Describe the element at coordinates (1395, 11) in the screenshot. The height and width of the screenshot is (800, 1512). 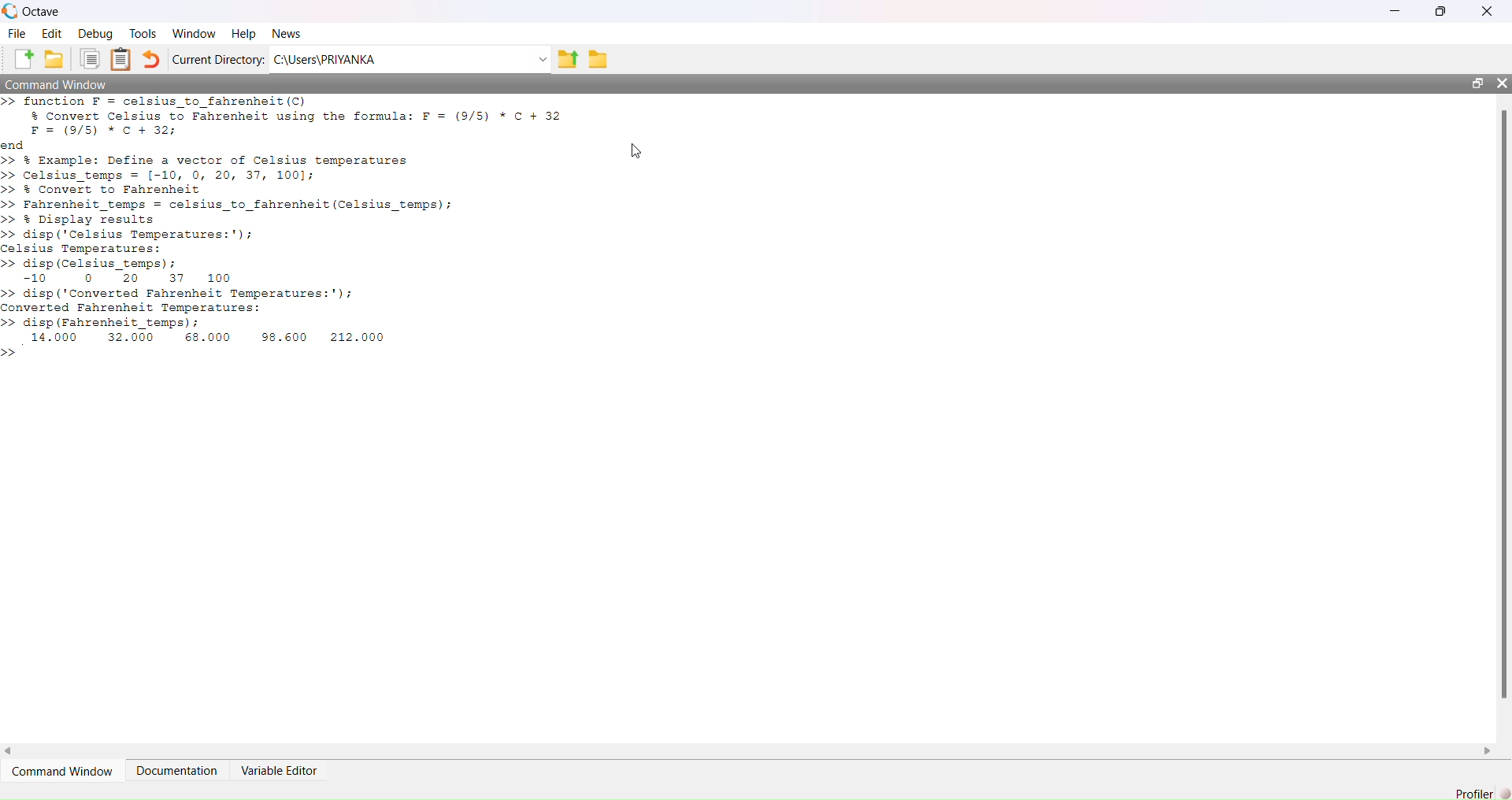
I see `minimize` at that location.